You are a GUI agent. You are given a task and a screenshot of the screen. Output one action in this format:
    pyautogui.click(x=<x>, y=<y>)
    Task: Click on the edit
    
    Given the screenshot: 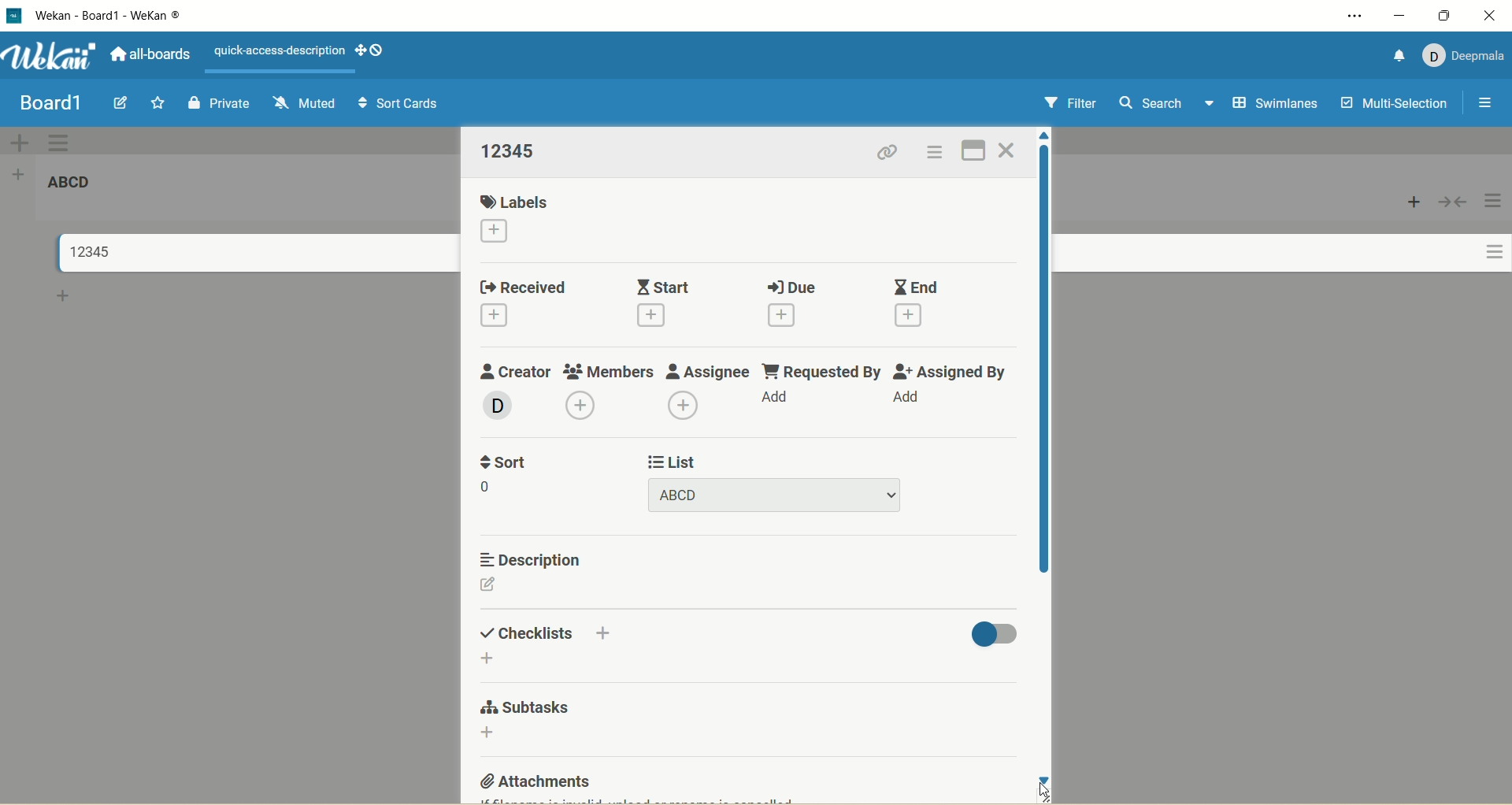 What is the action you would take?
    pyautogui.click(x=494, y=584)
    